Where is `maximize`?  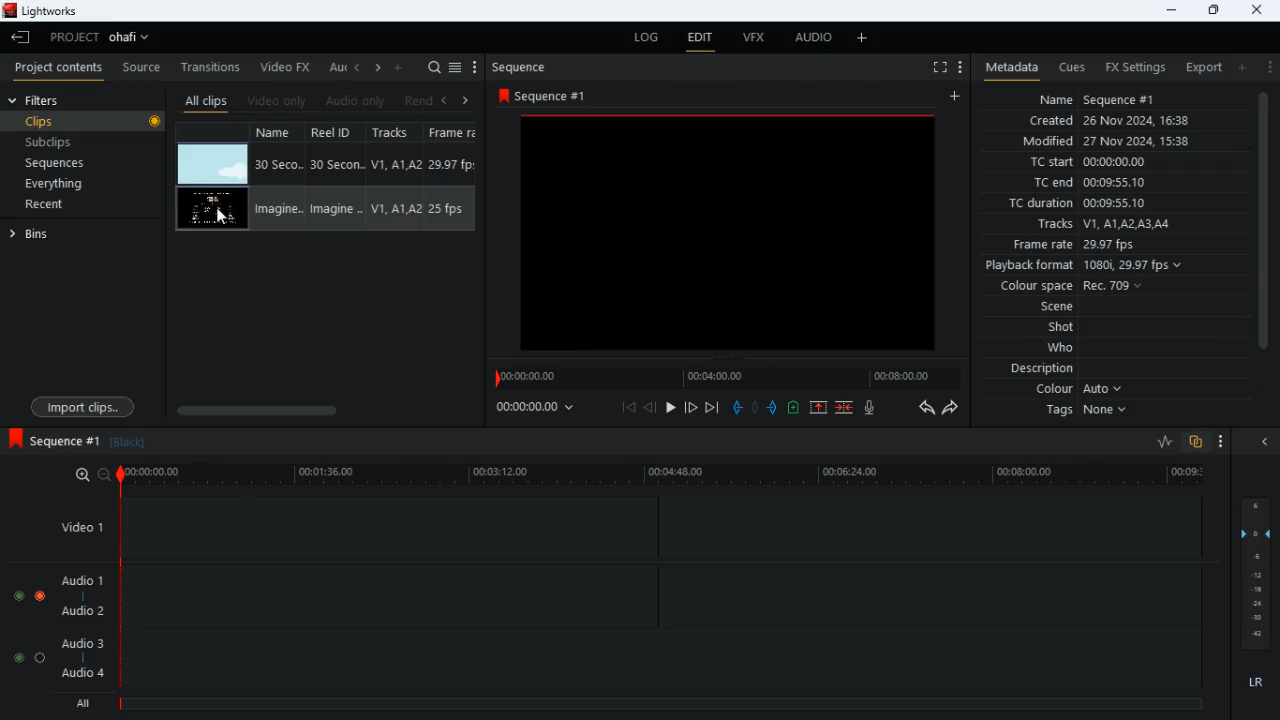
maximize is located at coordinates (1210, 12).